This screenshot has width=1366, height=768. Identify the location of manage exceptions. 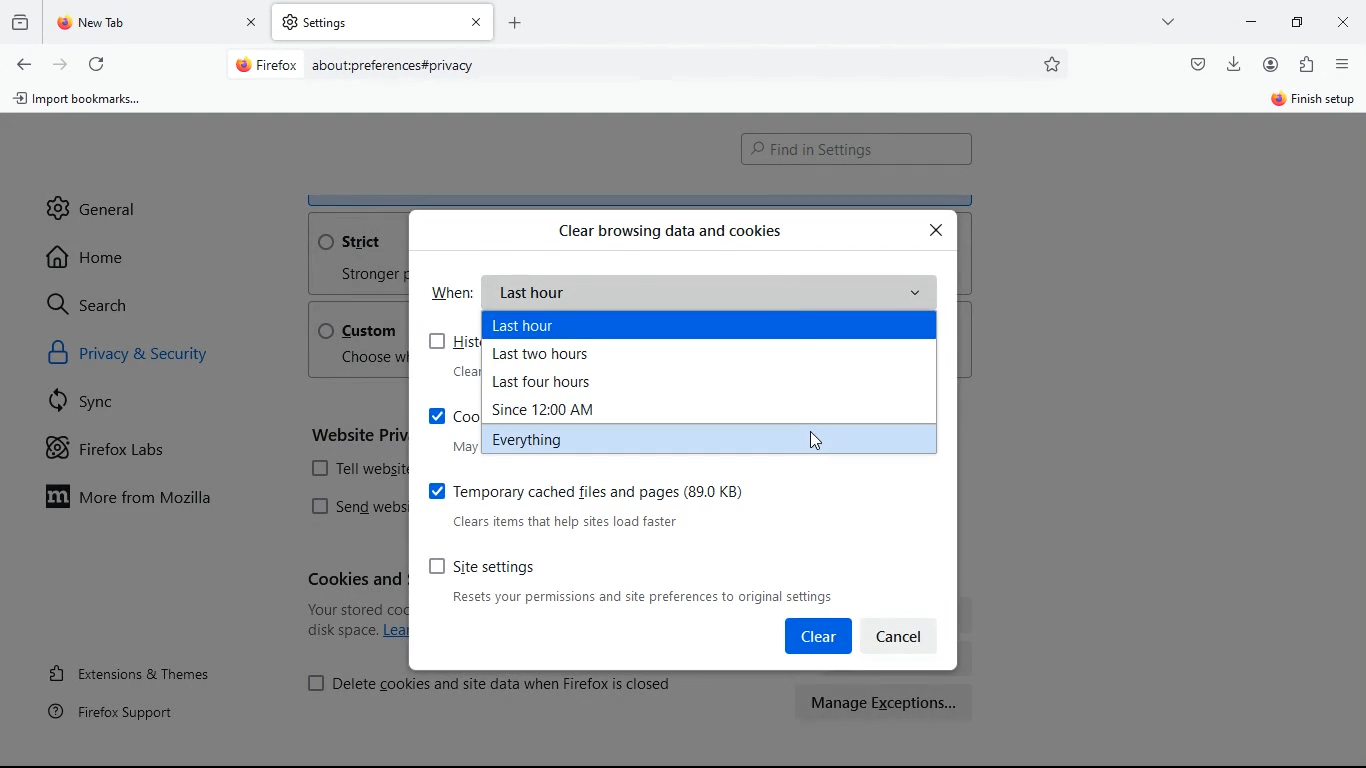
(886, 702).